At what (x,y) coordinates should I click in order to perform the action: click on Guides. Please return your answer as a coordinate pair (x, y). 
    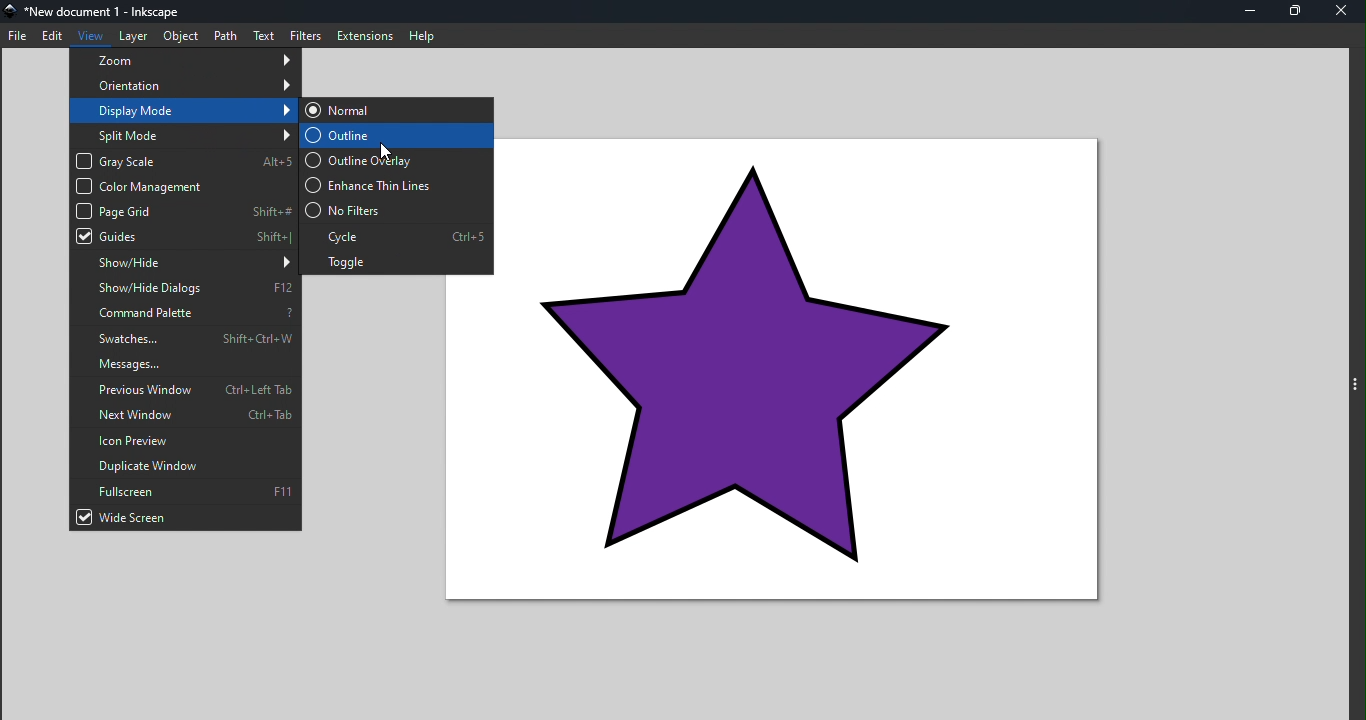
    Looking at the image, I should click on (182, 237).